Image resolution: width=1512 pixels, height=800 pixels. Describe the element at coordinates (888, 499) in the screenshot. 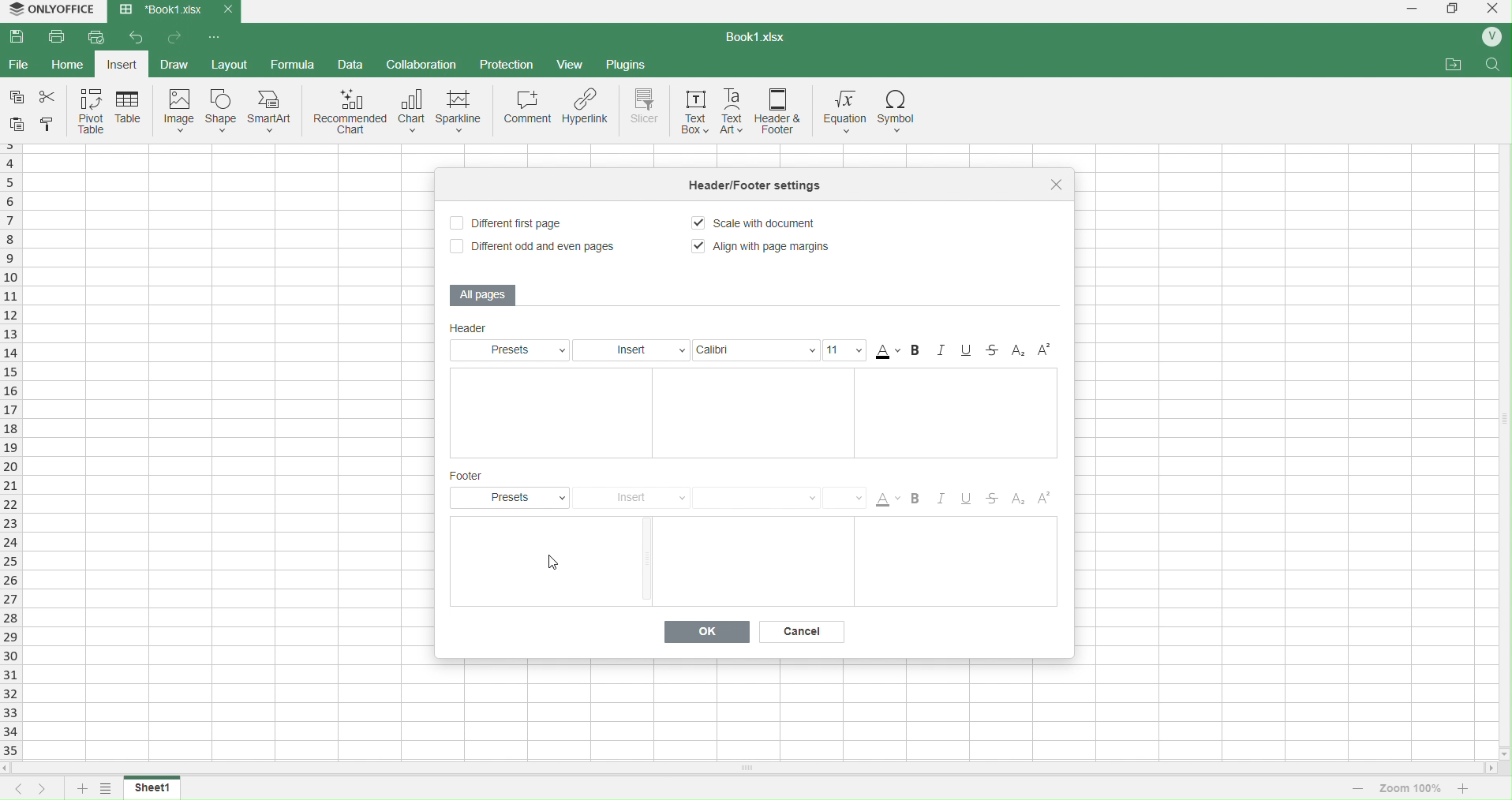

I see `Color` at that location.